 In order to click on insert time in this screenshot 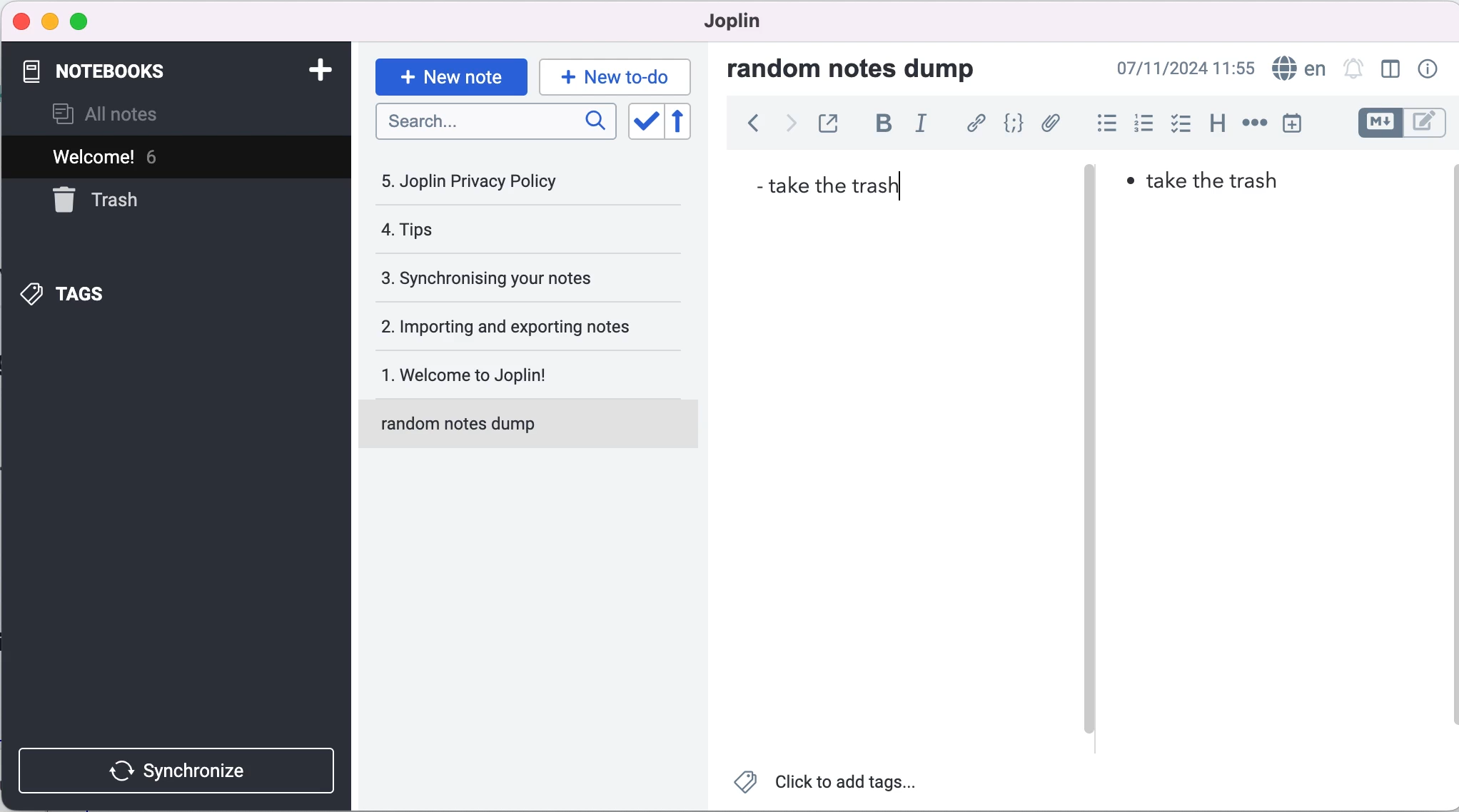, I will do `click(1301, 123)`.